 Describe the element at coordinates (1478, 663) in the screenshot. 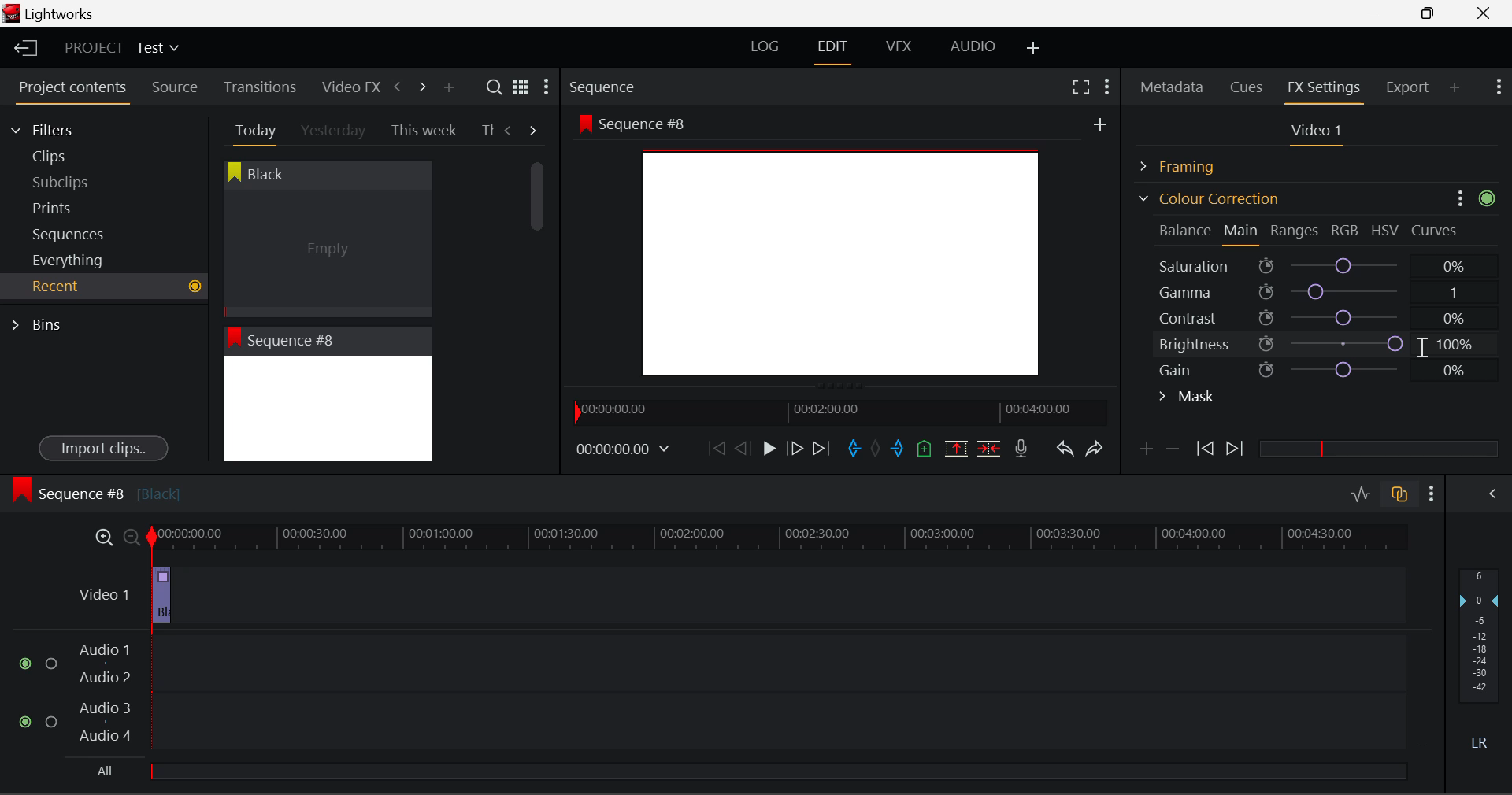

I see `Decibel Gain` at that location.